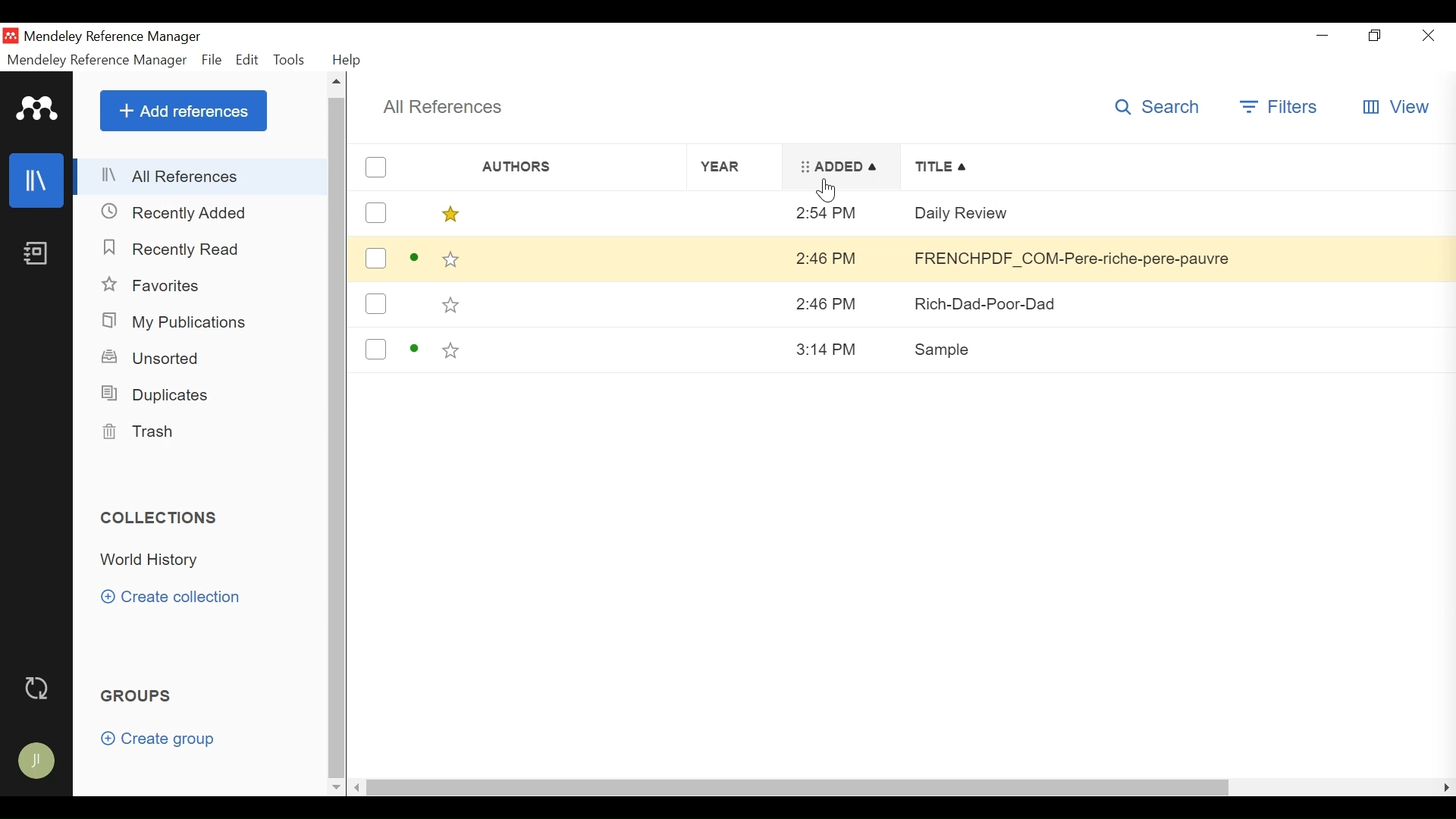 Image resolution: width=1456 pixels, height=819 pixels. I want to click on Toggle Favorites, so click(449, 258).